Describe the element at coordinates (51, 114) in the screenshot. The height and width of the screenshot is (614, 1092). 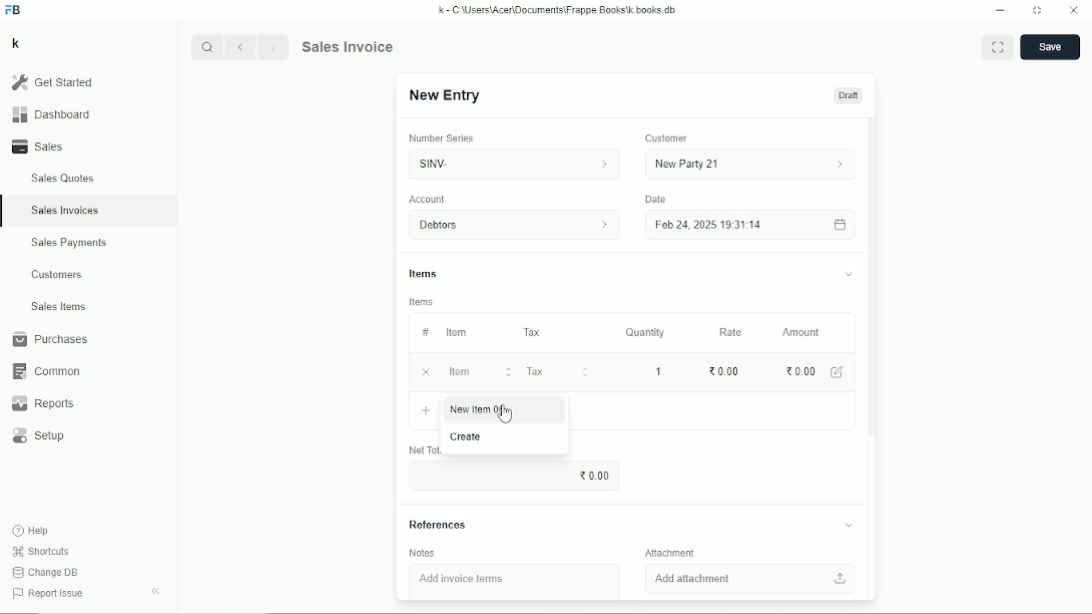
I see `Dashboard` at that location.